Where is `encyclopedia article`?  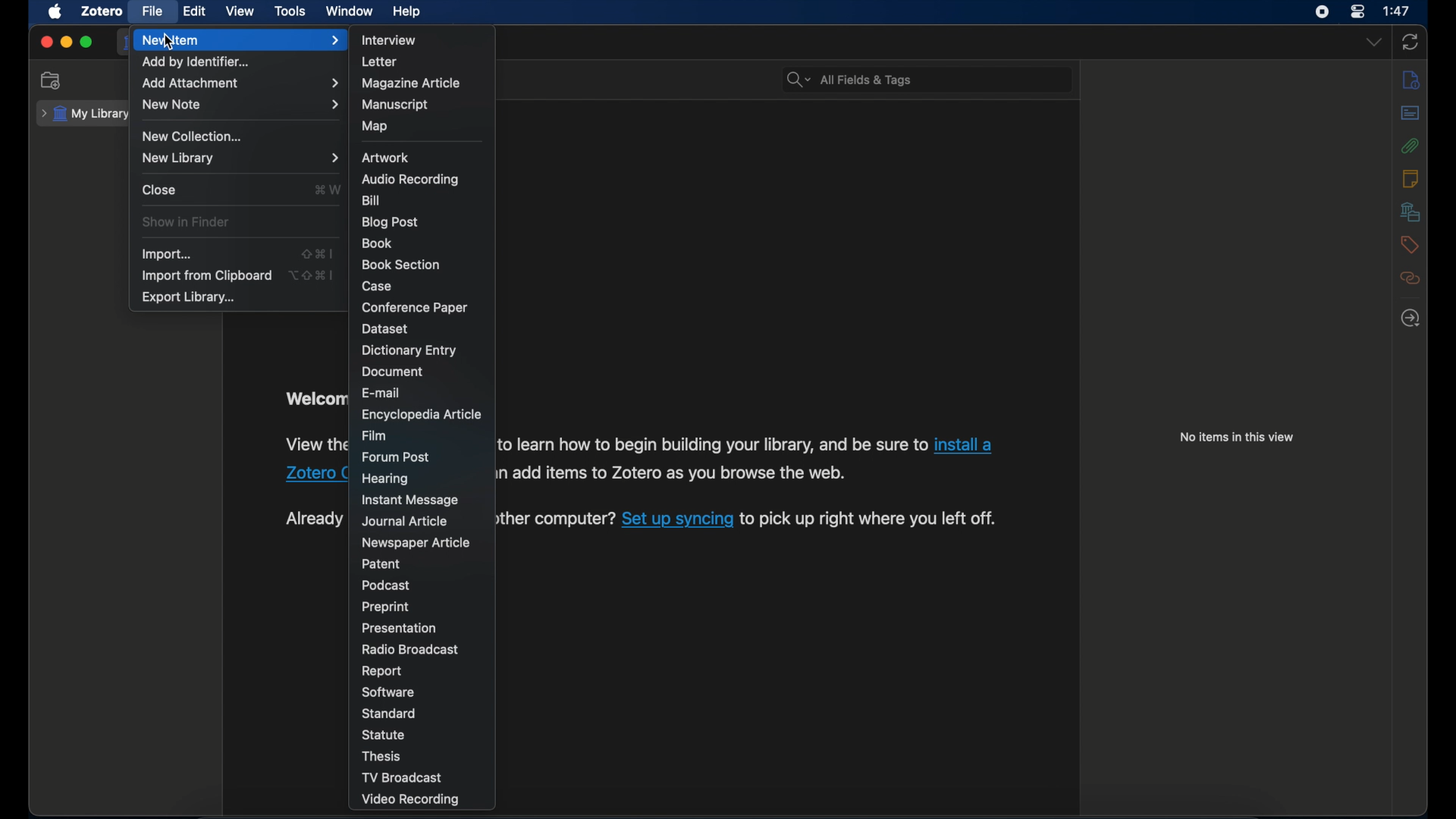
encyclopedia article is located at coordinates (419, 414).